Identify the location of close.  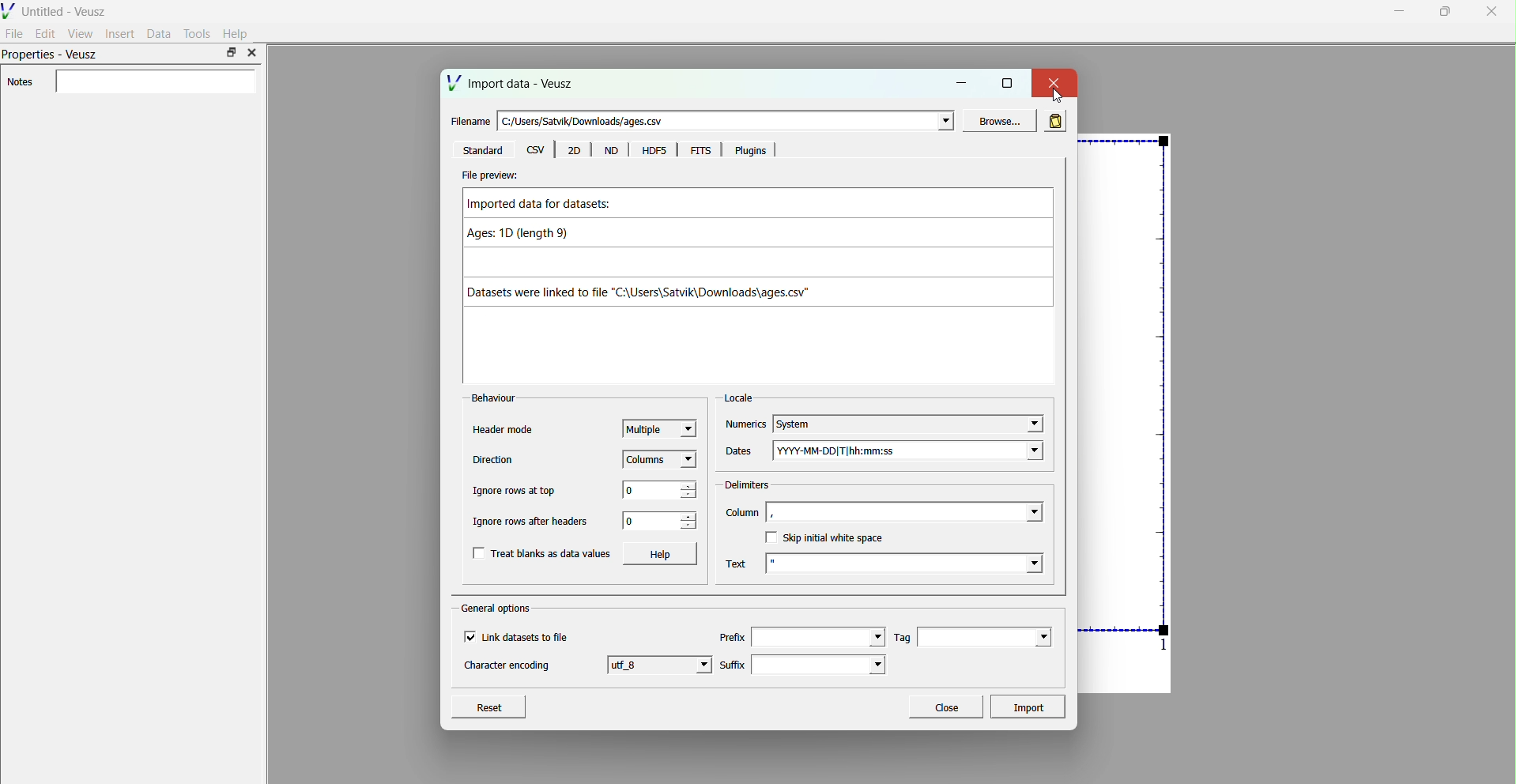
(1491, 13).